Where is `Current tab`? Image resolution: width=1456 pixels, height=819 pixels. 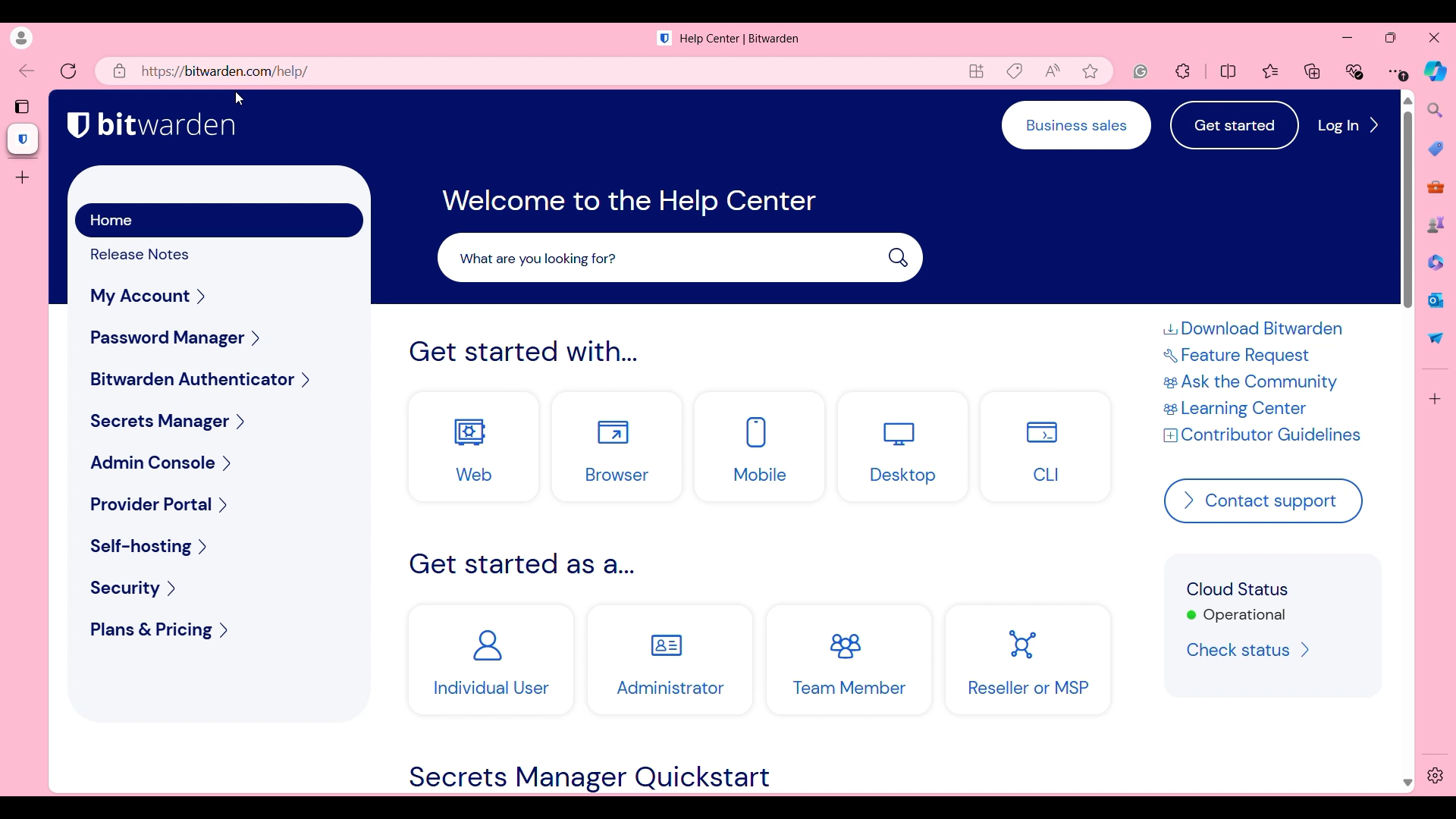
Current tab is located at coordinates (24, 140).